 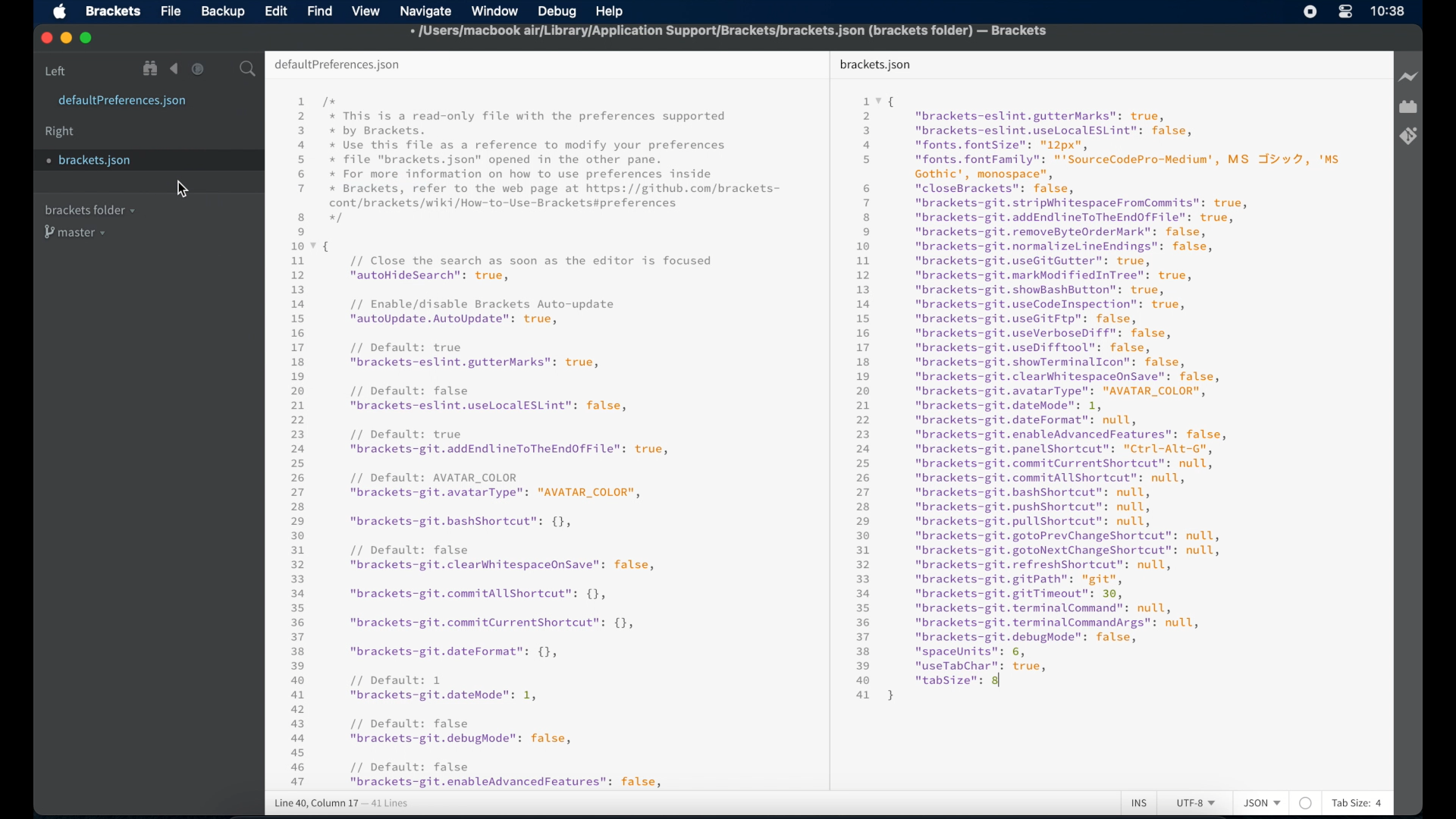 I want to click on brackets folder, so click(x=89, y=209).